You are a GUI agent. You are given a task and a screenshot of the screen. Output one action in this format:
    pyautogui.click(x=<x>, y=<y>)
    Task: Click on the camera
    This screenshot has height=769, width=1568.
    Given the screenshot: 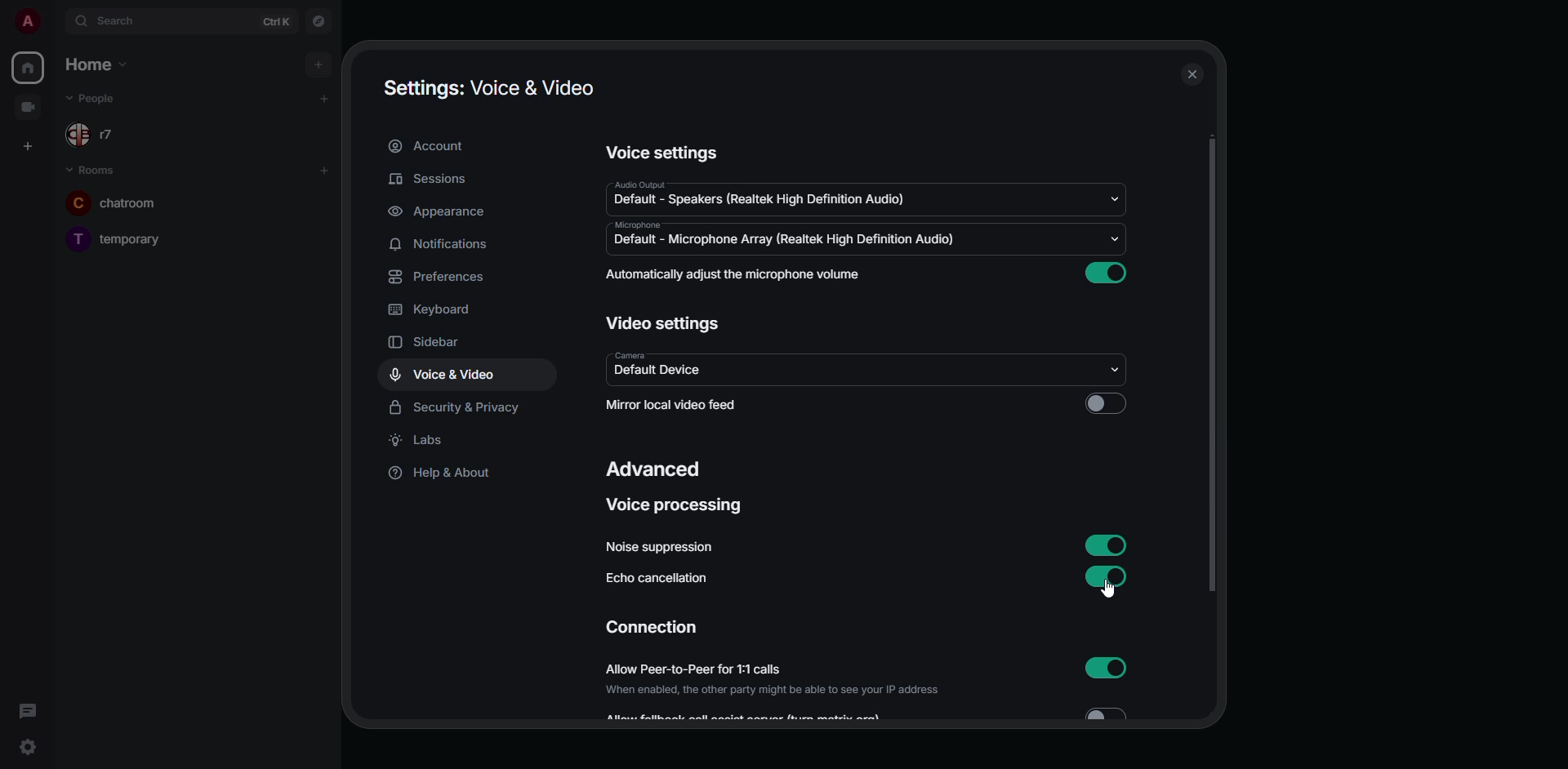 What is the action you would take?
    pyautogui.click(x=632, y=353)
    